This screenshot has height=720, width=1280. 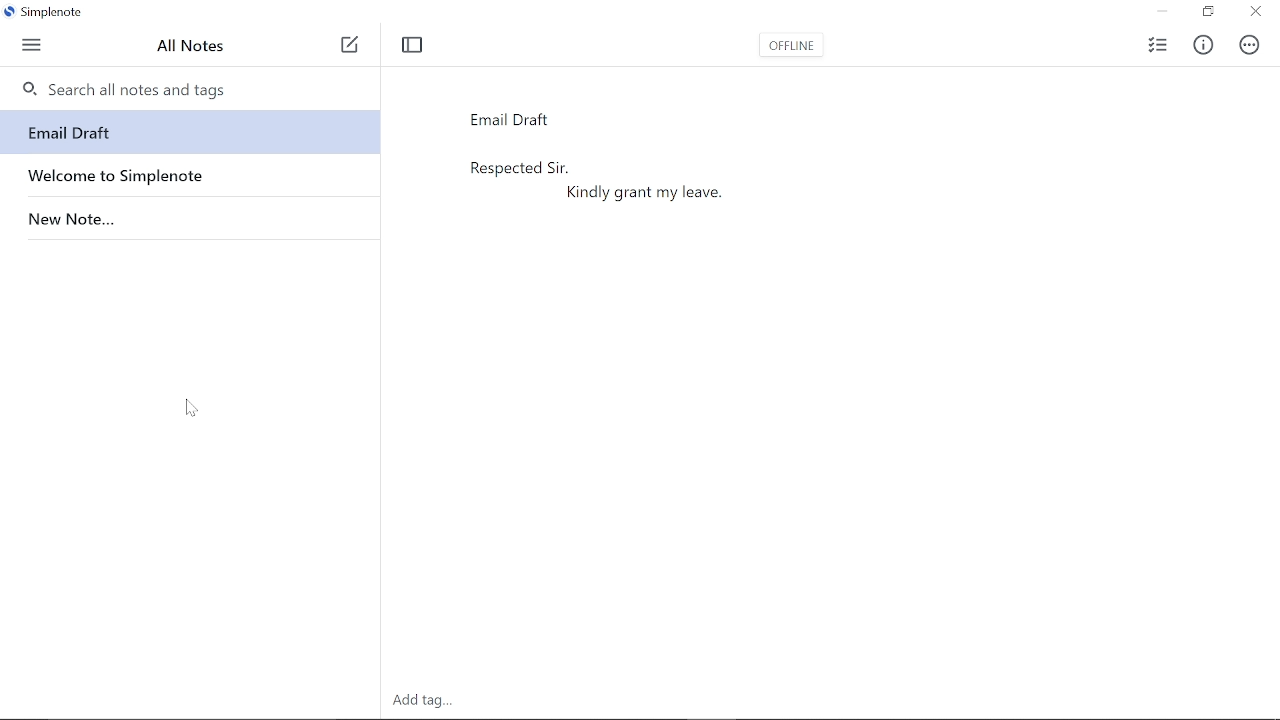 What do you see at coordinates (188, 173) in the screenshot?
I see `Note titled "Welcome to Simplenote"` at bounding box center [188, 173].